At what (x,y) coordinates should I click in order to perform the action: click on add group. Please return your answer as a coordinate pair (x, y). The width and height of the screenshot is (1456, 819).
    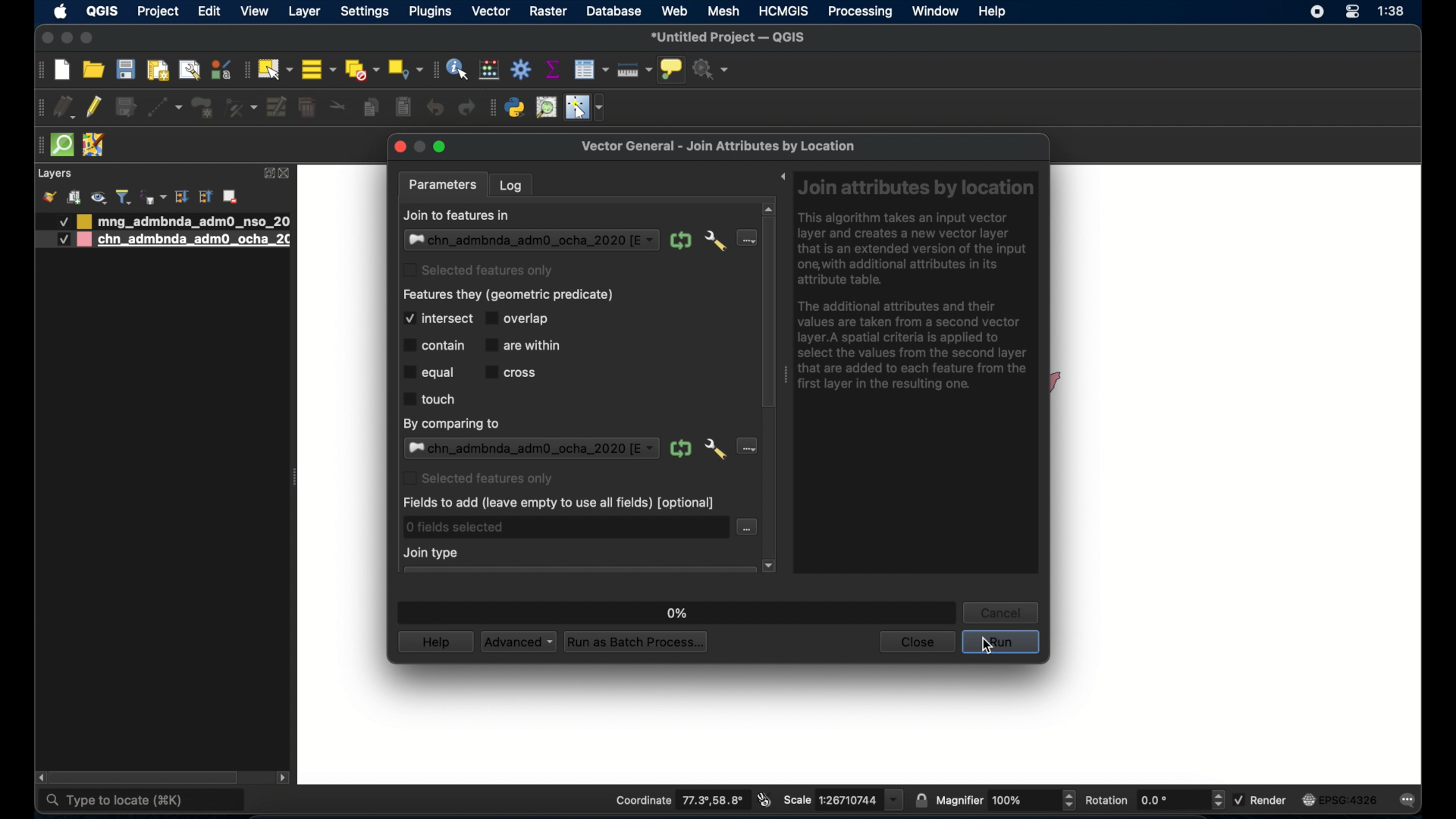
    Looking at the image, I should click on (74, 198).